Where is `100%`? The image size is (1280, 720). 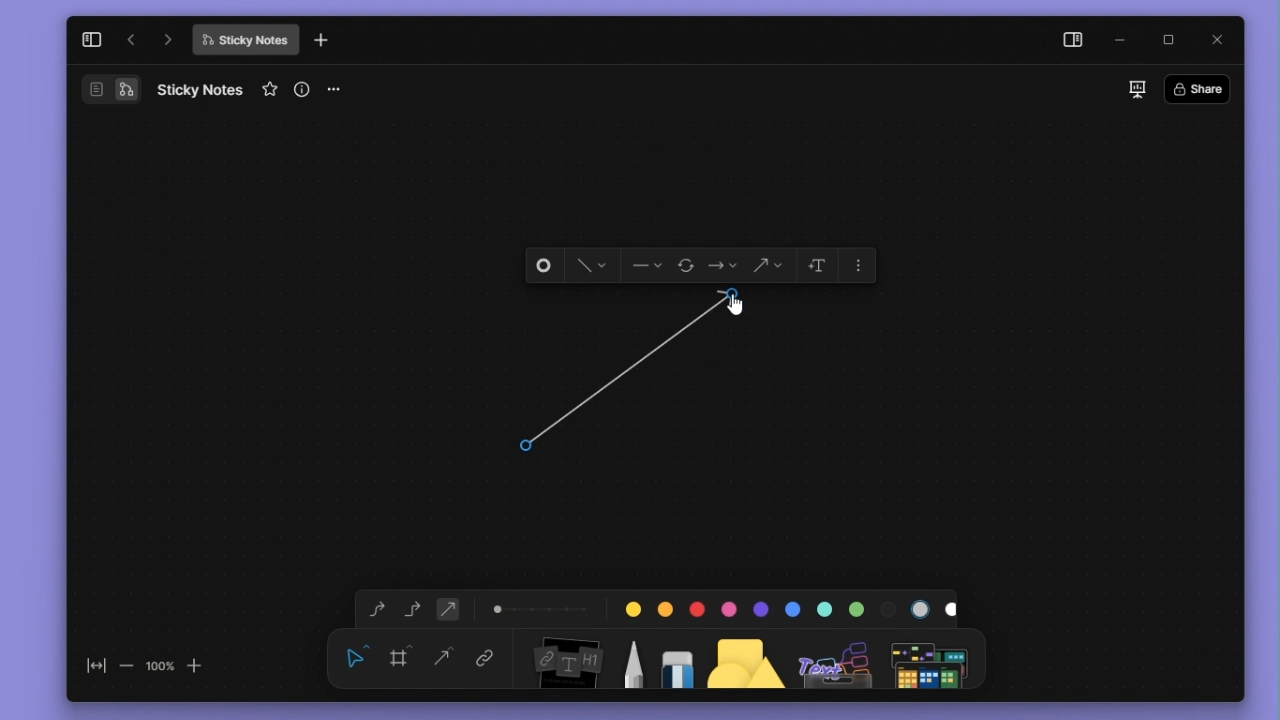 100% is located at coordinates (159, 665).